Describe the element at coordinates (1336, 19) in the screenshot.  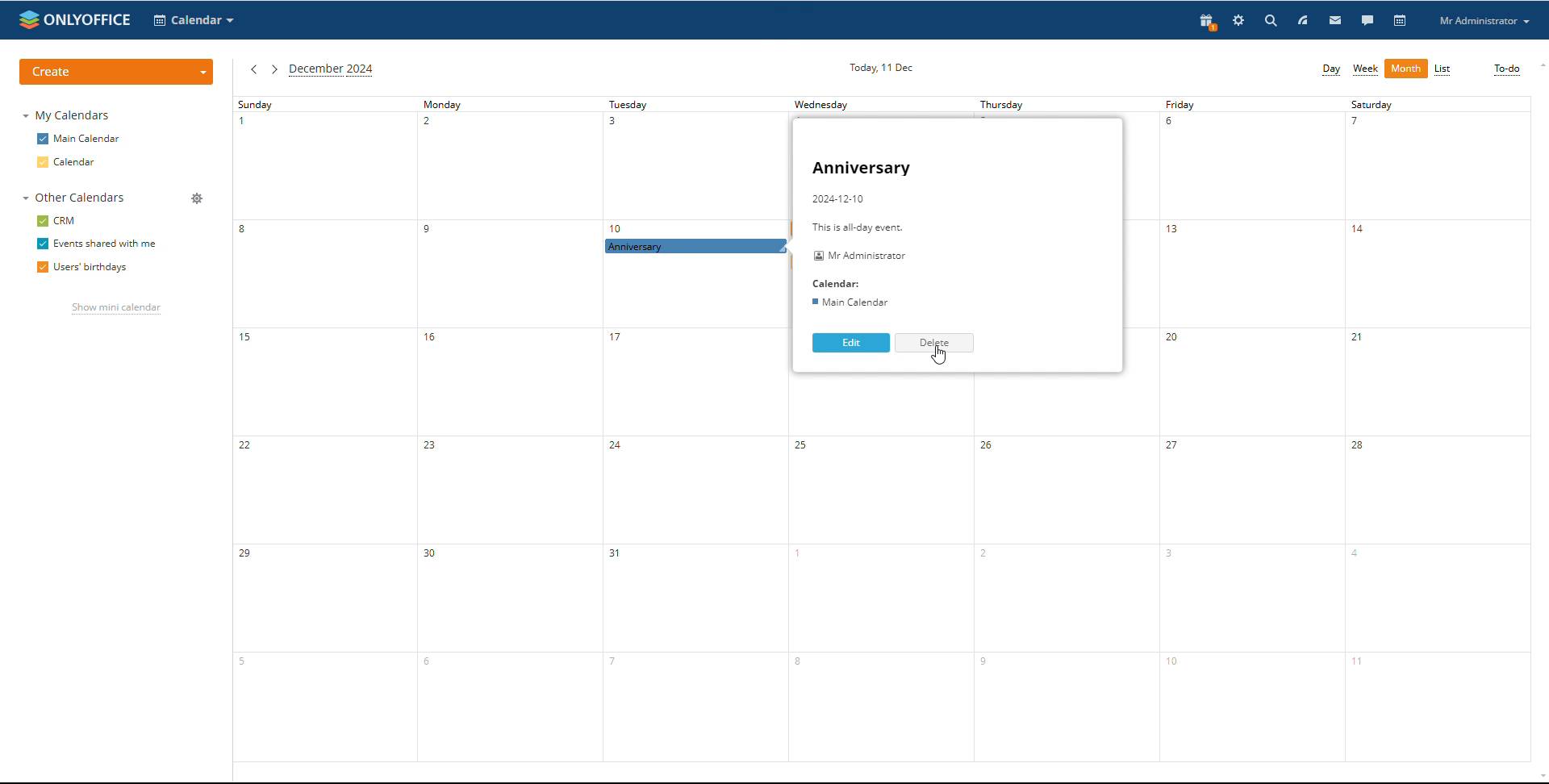
I see `mail` at that location.